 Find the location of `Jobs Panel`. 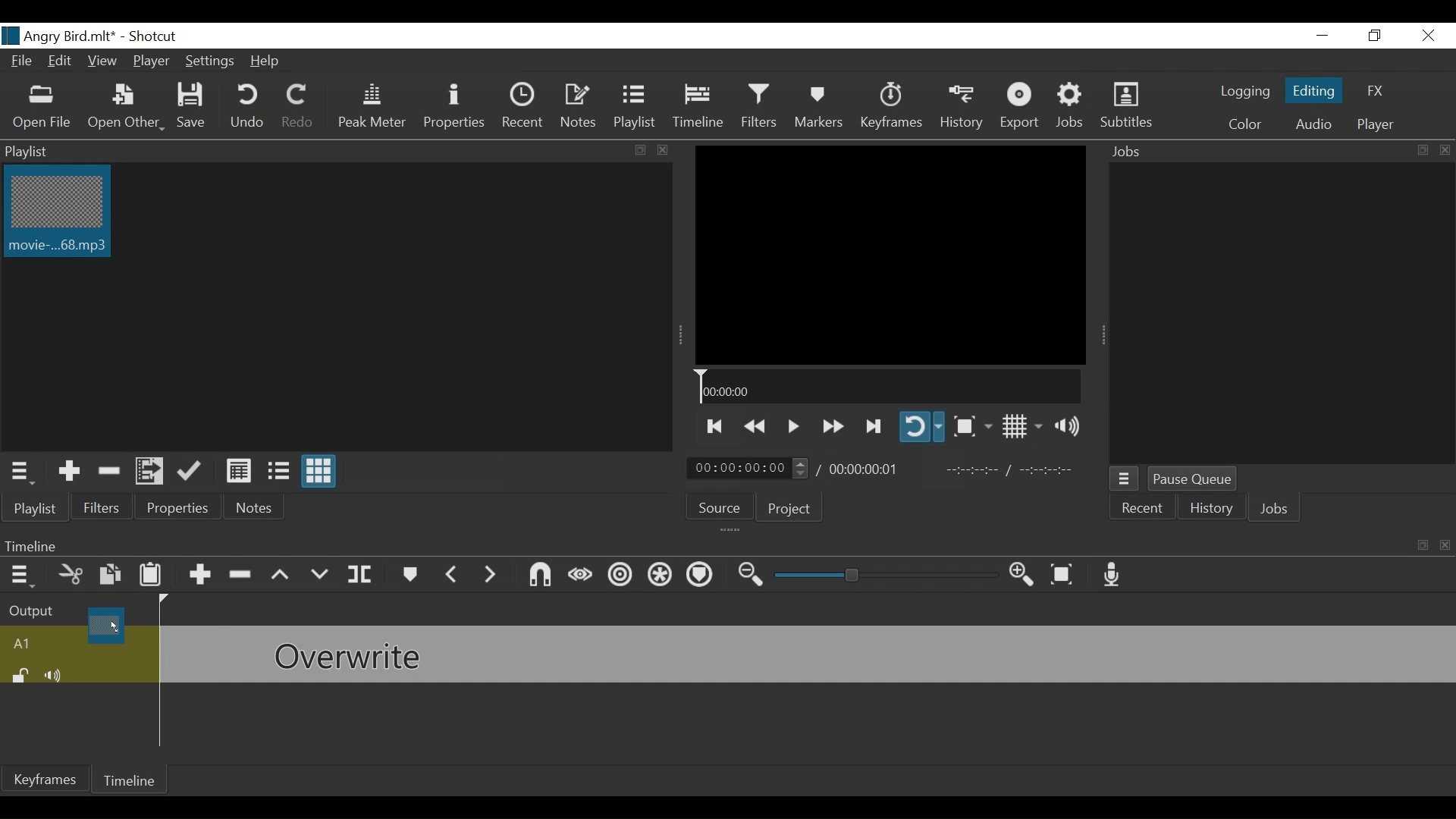

Jobs Panel is located at coordinates (1278, 312).